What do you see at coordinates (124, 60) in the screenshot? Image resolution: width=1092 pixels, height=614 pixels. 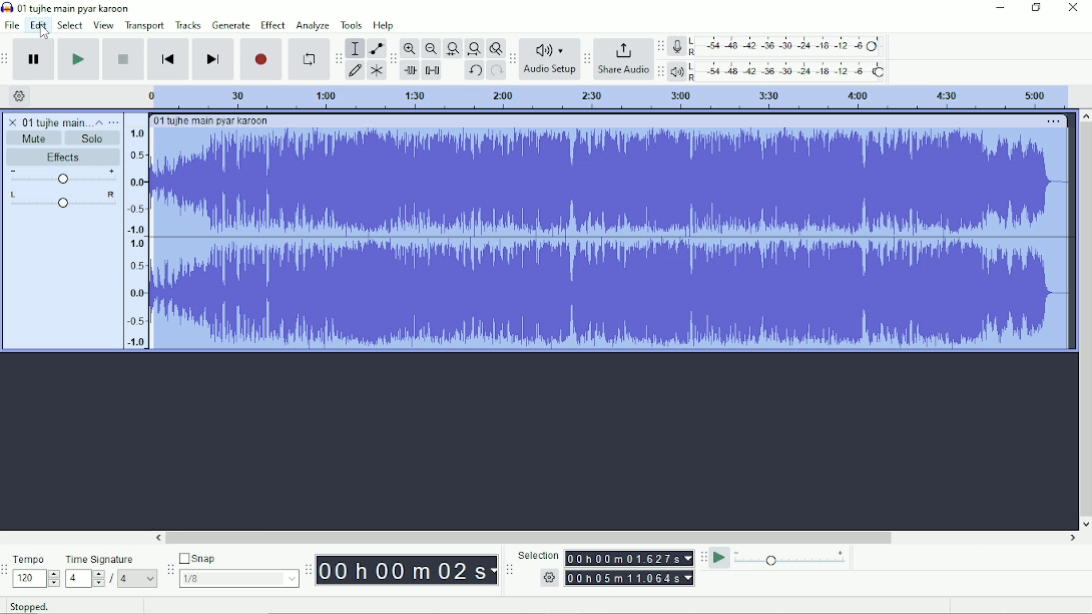 I see `Stop` at bounding box center [124, 60].